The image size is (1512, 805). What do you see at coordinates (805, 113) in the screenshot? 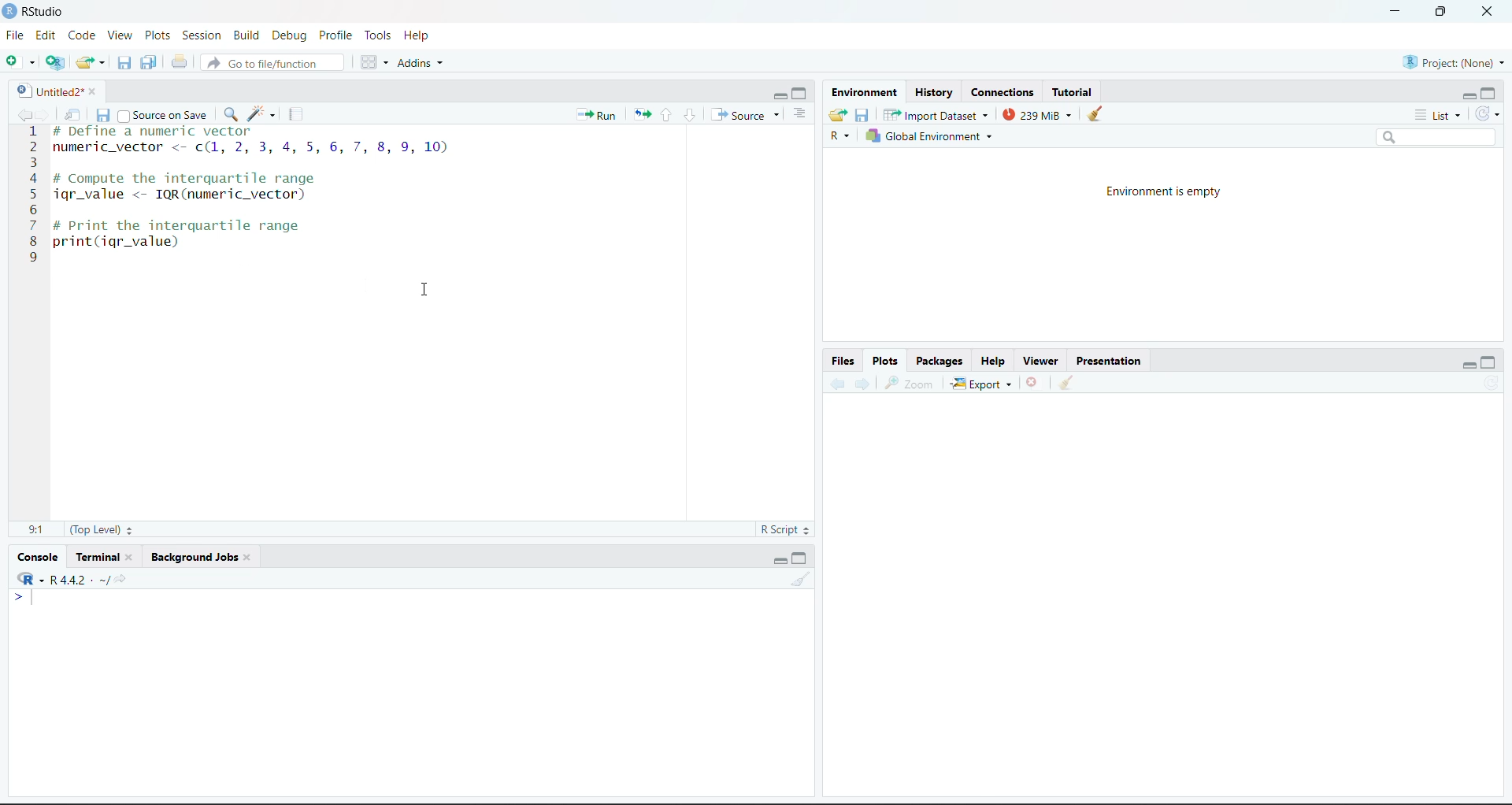
I see `Show document outline (Ctrl + Shift + O)` at bounding box center [805, 113].